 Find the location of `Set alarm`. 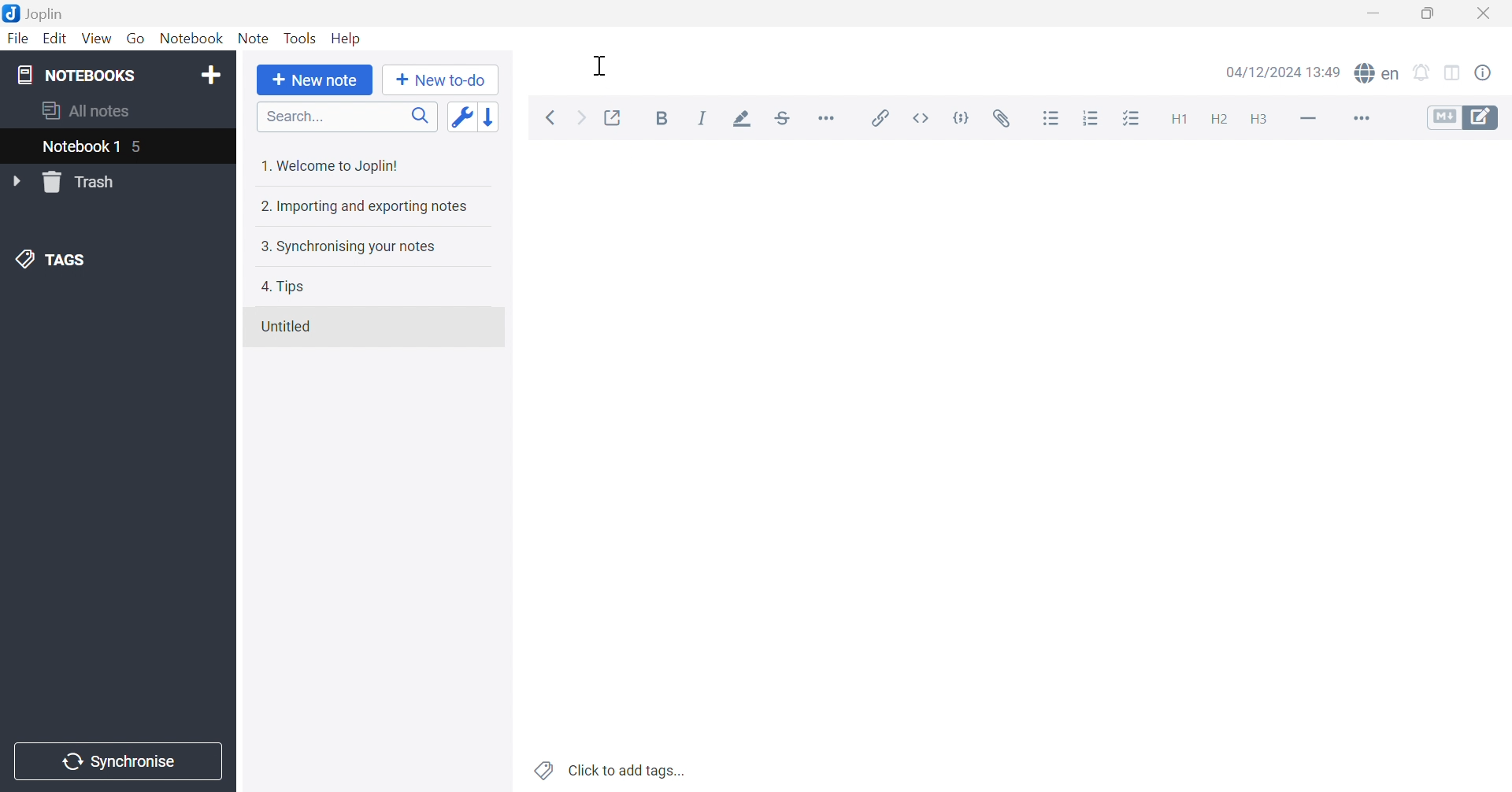

Set alarm is located at coordinates (1421, 72).